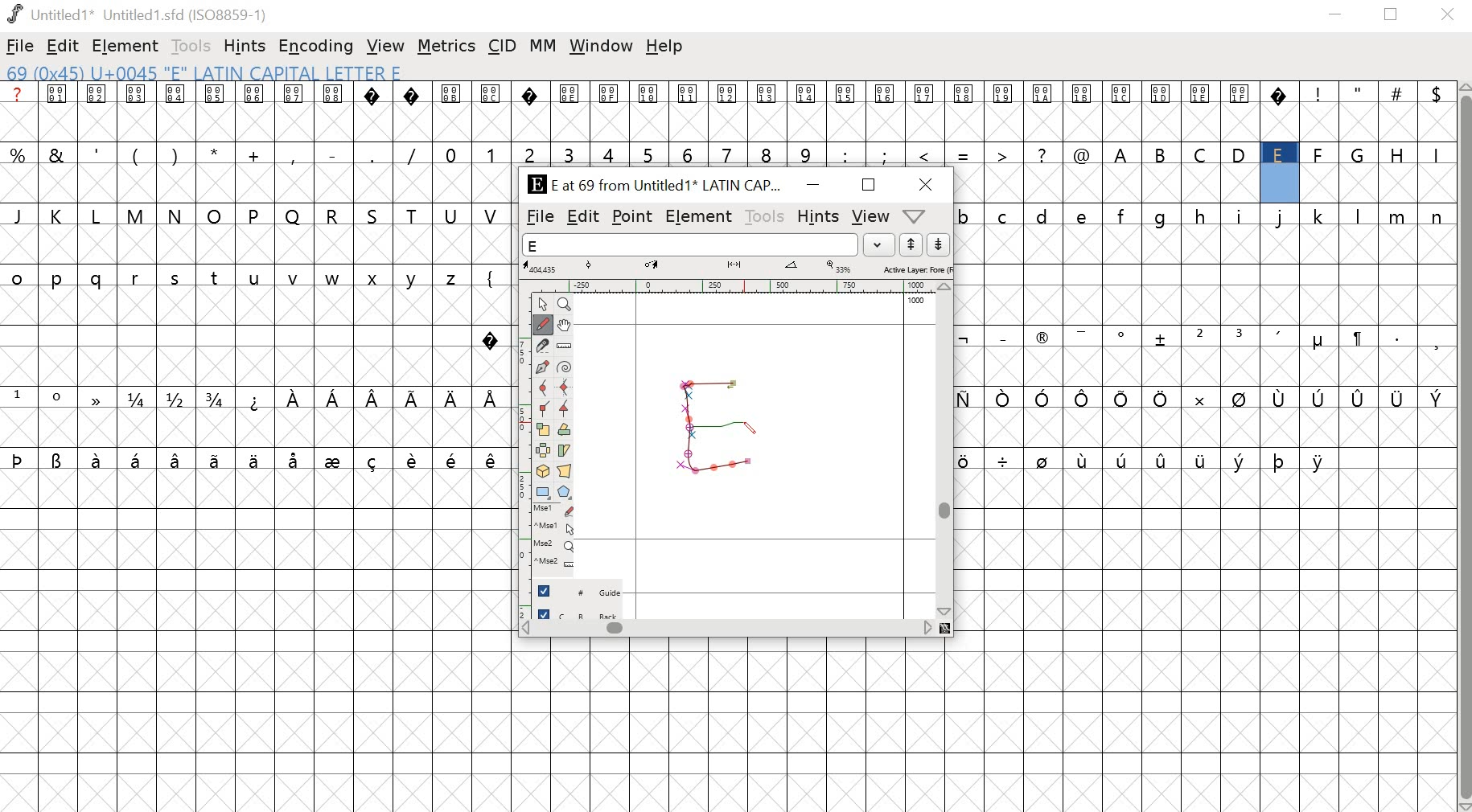 This screenshot has width=1472, height=812. Describe the element at coordinates (259, 245) in the screenshot. I see `empty cells` at that location.